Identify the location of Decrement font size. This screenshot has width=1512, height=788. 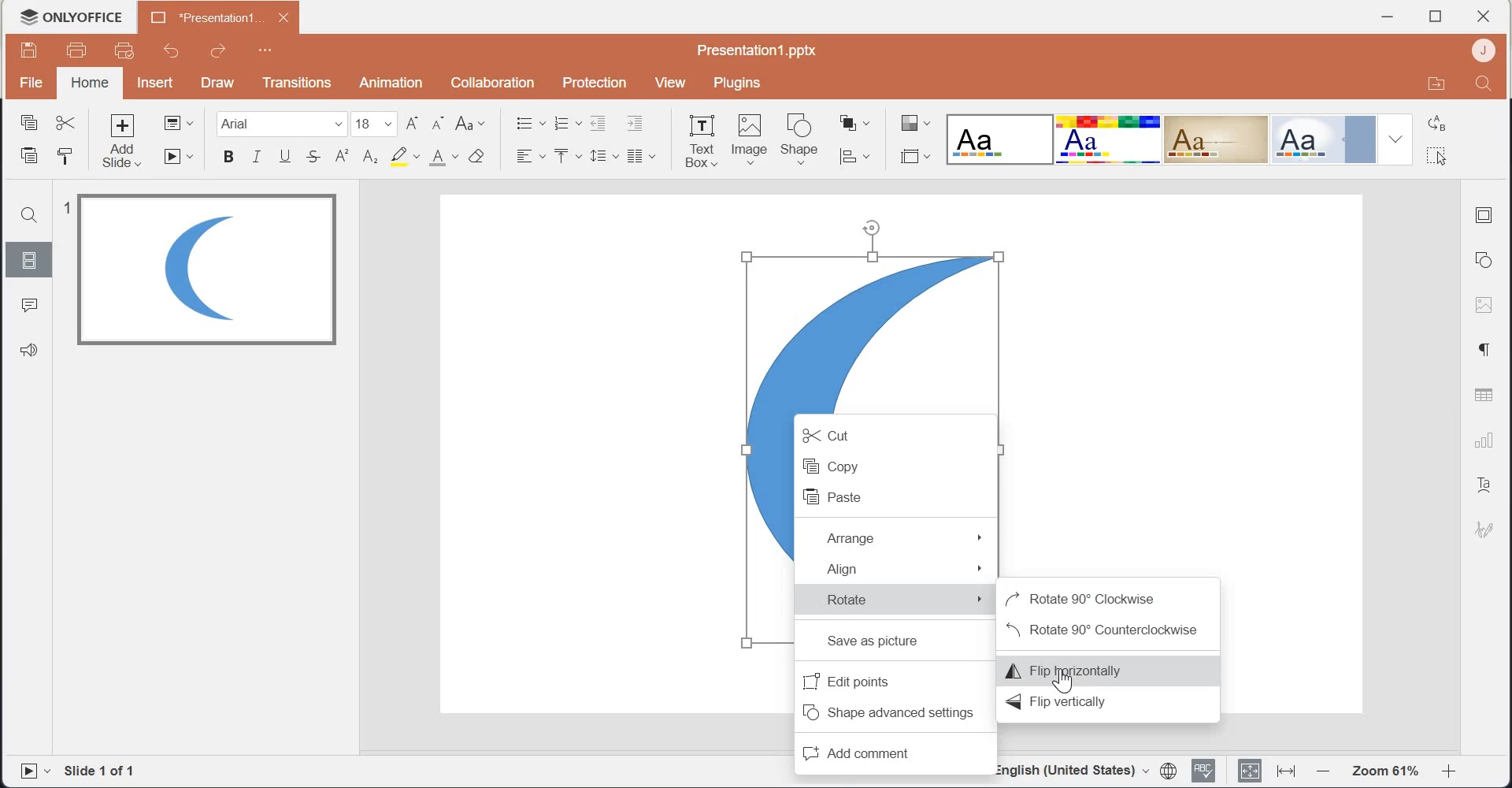
(439, 124).